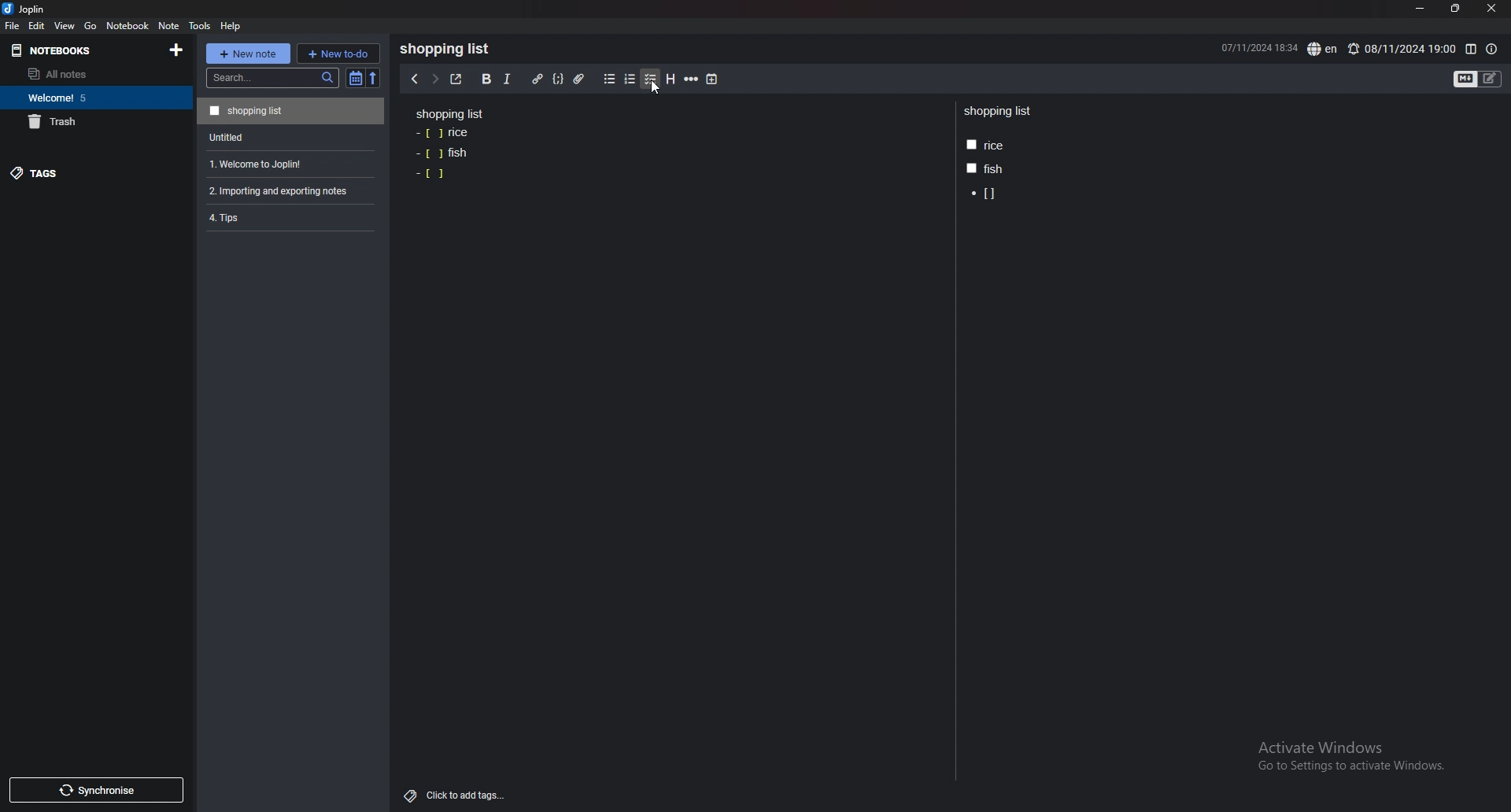  Describe the element at coordinates (289, 217) in the screenshot. I see `4.Tips.` at that location.